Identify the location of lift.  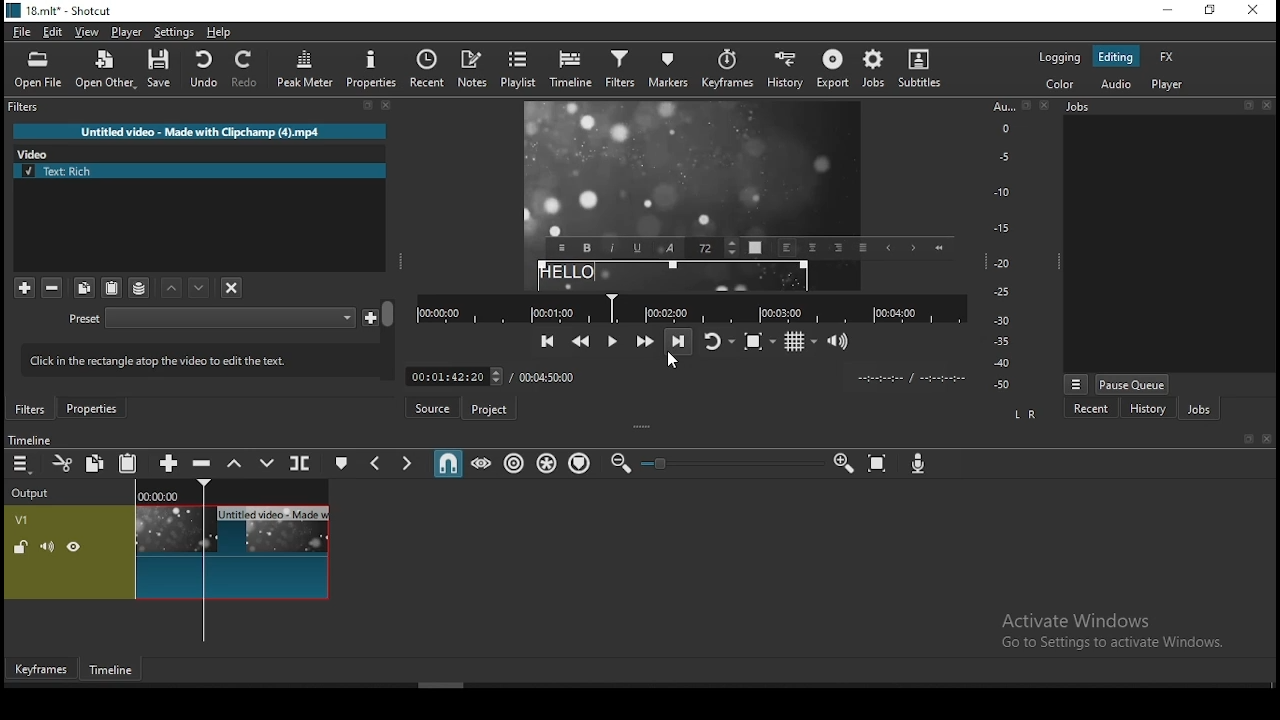
(235, 462).